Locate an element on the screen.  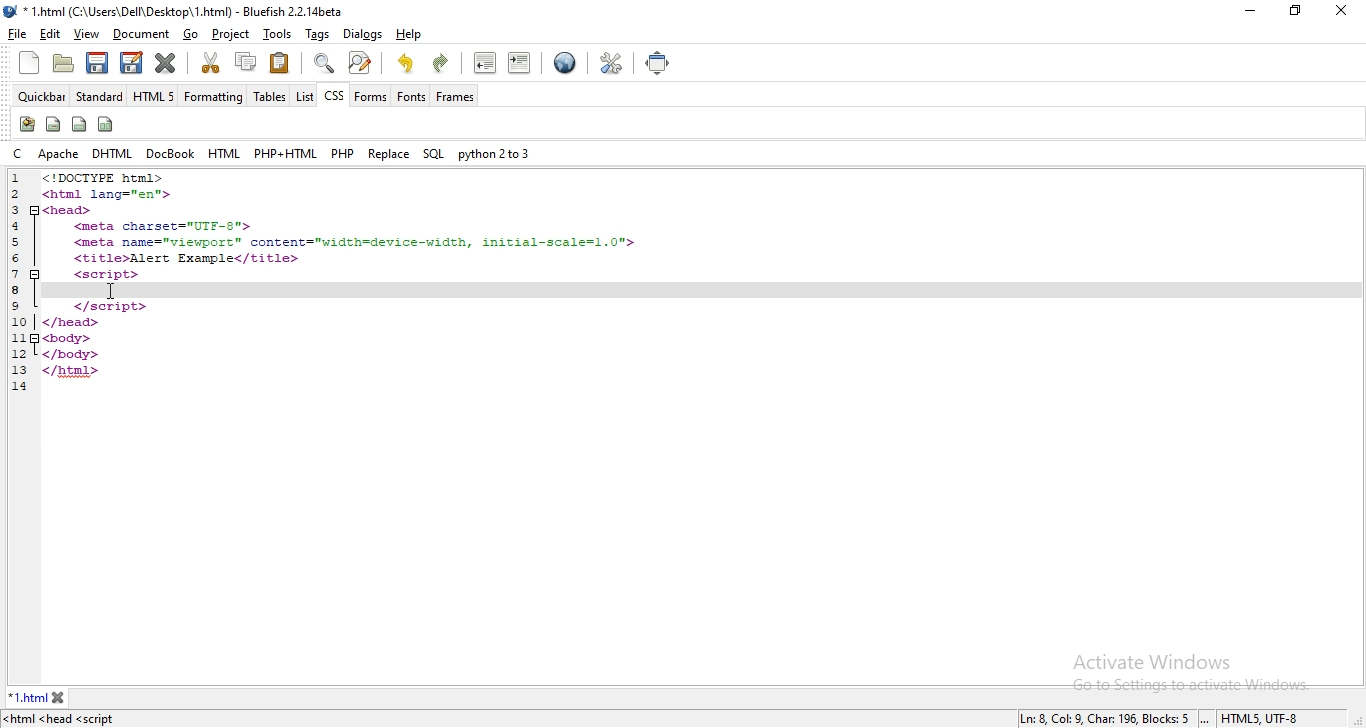
icon is located at coordinates (80, 124).